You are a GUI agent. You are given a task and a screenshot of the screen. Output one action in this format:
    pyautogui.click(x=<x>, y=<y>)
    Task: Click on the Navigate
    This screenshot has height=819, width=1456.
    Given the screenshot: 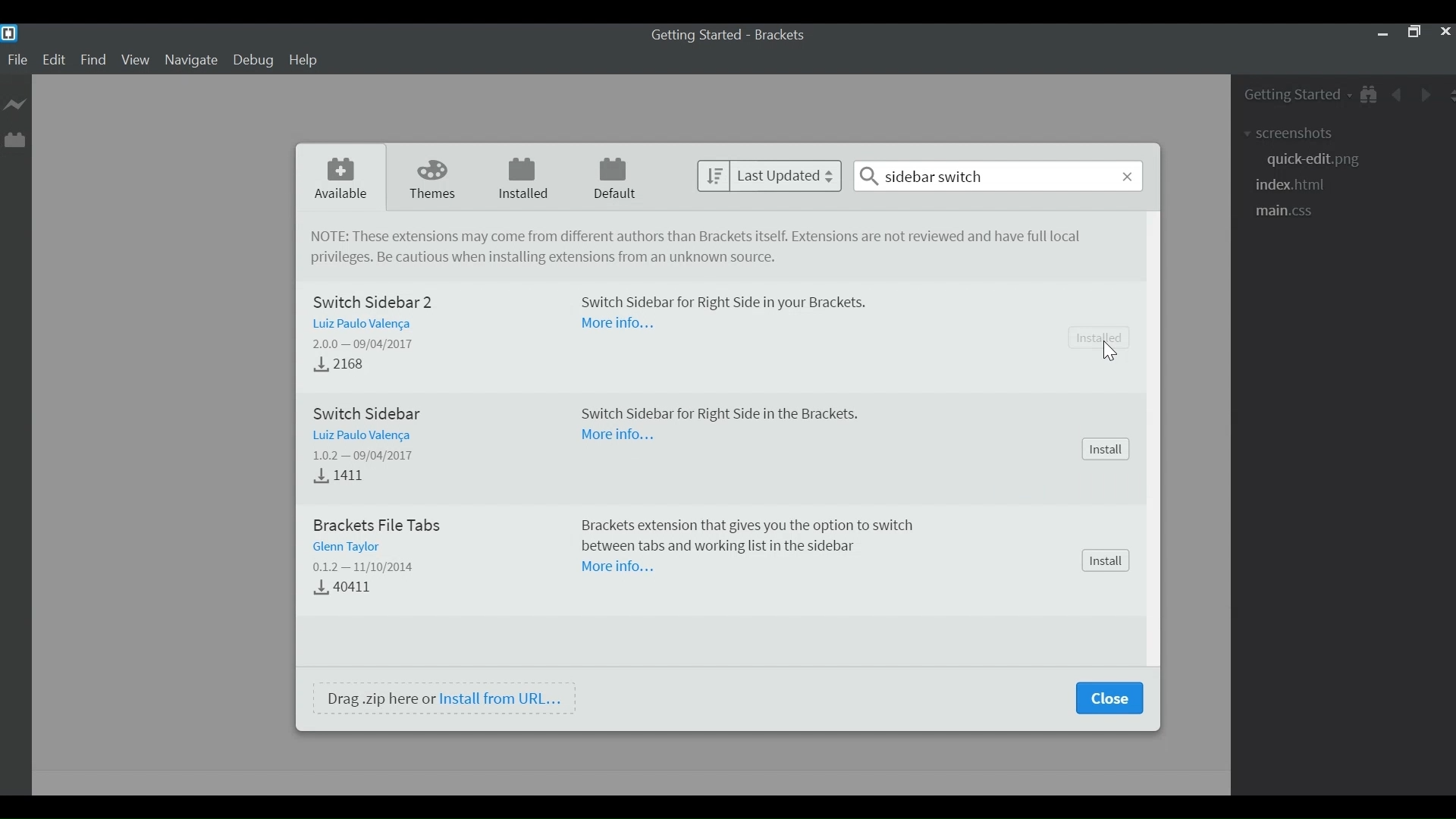 What is the action you would take?
    pyautogui.click(x=190, y=61)
    